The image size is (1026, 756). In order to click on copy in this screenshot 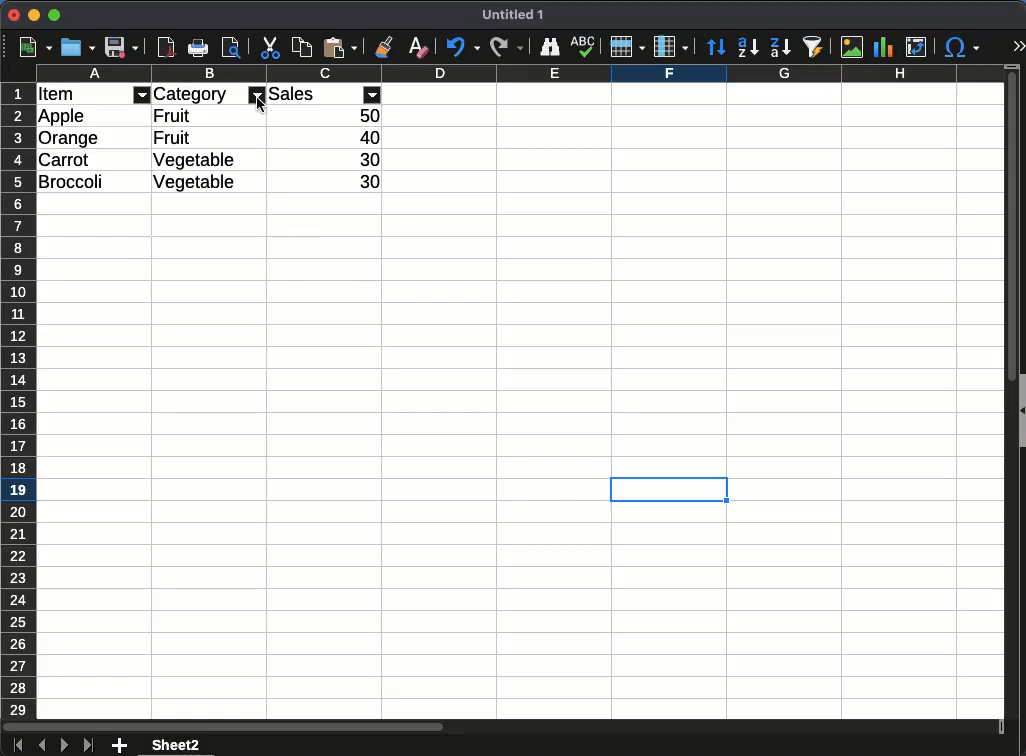, I will do `click(301, 49)`.